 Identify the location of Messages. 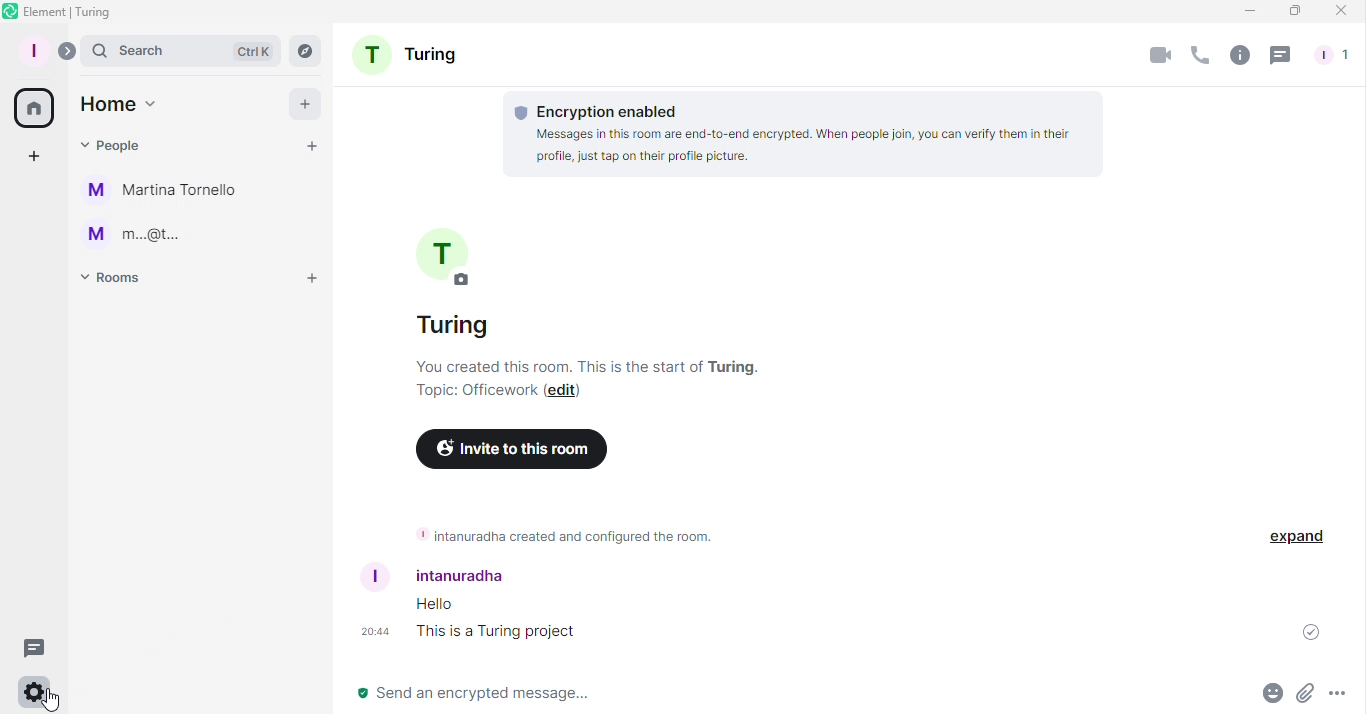
(498, 621).